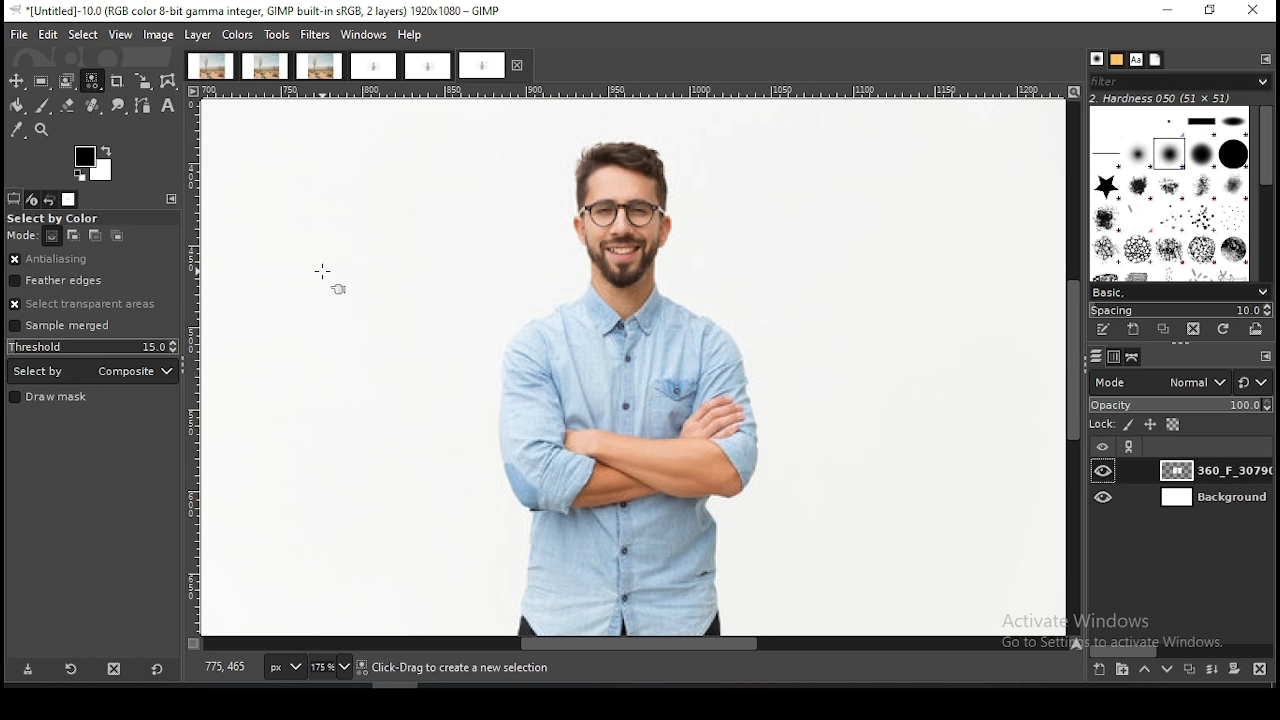  Describe the element at coordinates (94, 236) in the screenshot. I see `subtract from the current selection` at that location.